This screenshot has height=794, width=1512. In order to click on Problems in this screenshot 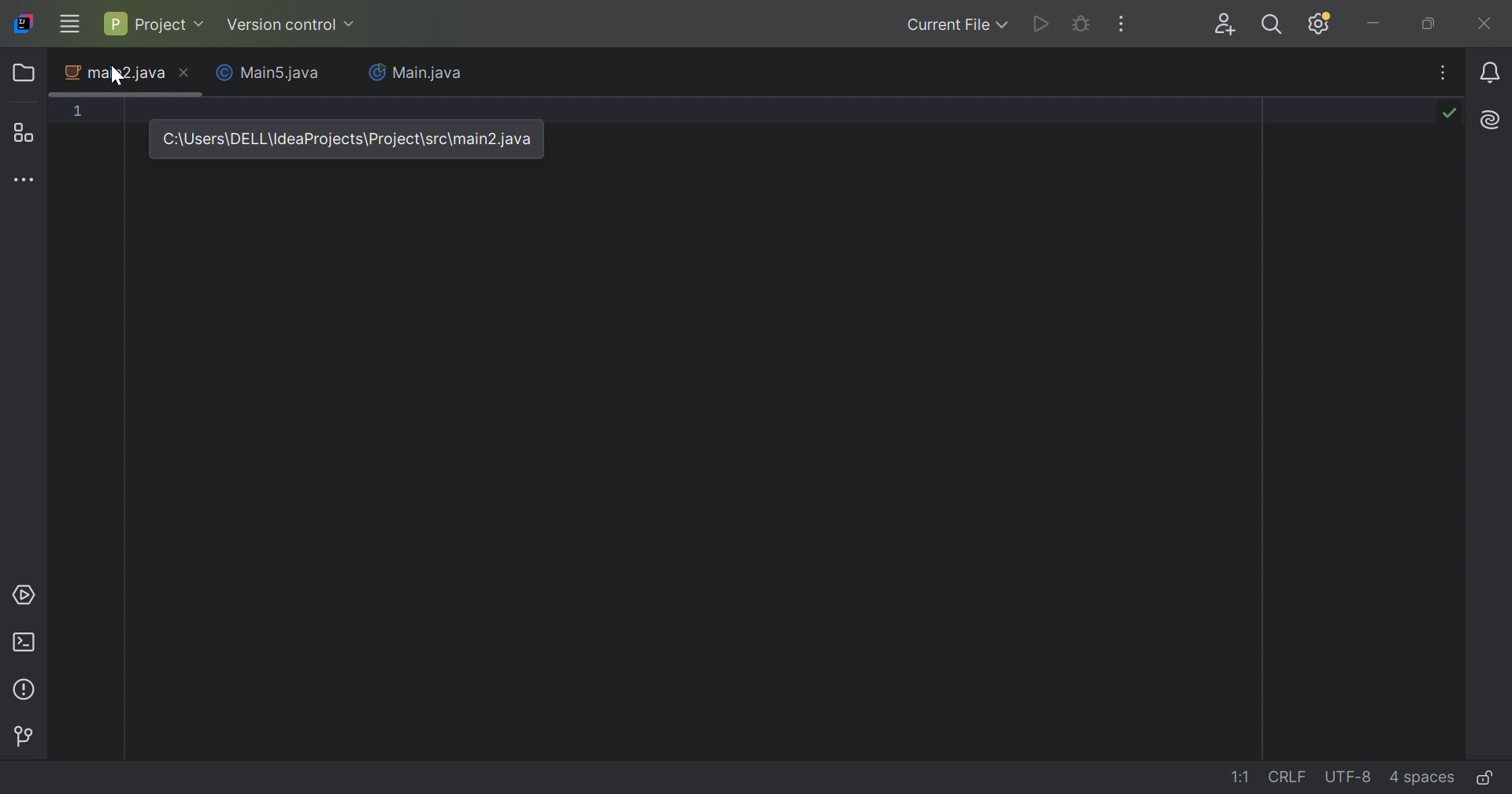, I will do `click(27, 690)`.